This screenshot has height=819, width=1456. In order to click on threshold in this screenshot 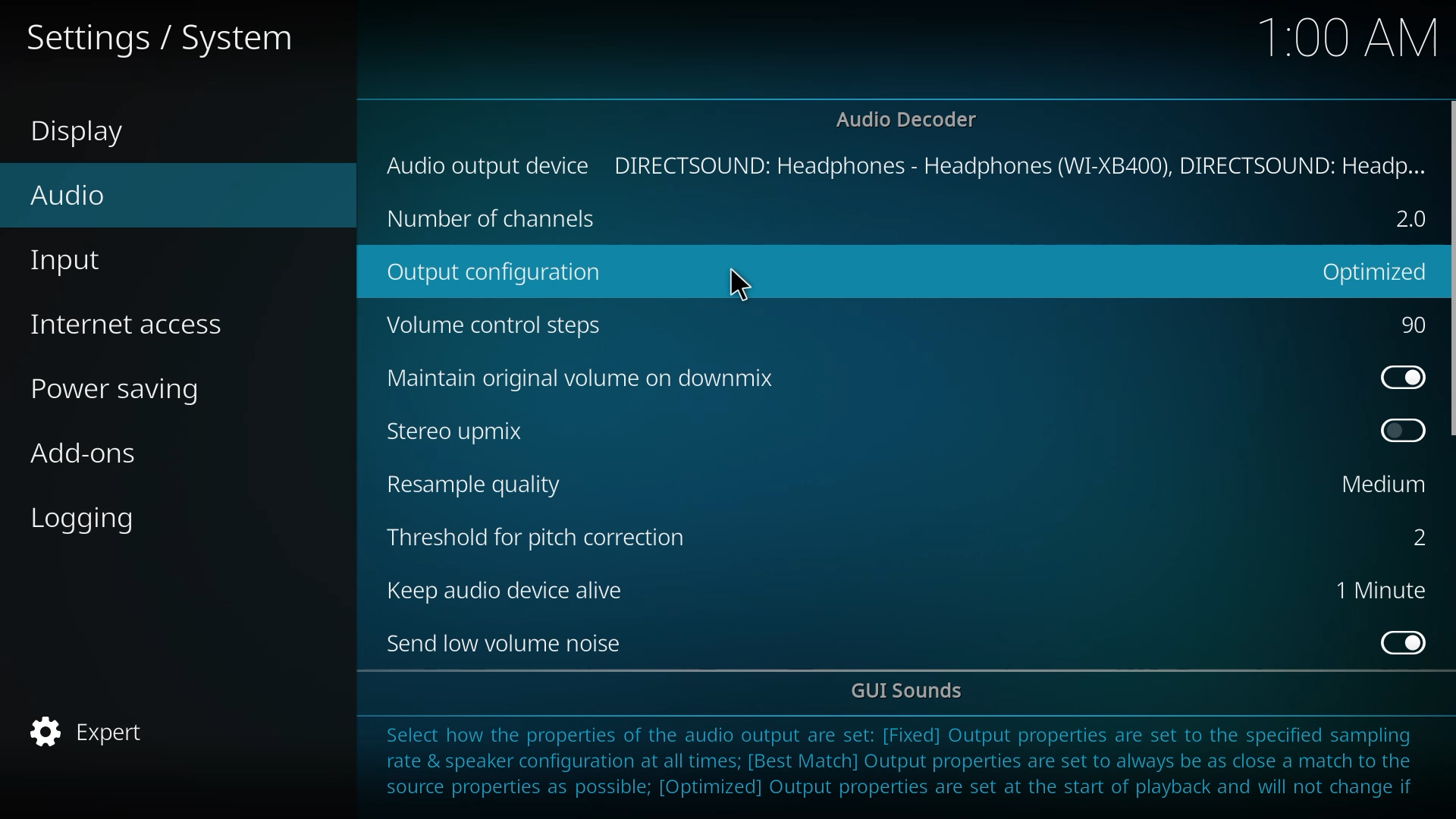, I will do `click(538, 537)`.